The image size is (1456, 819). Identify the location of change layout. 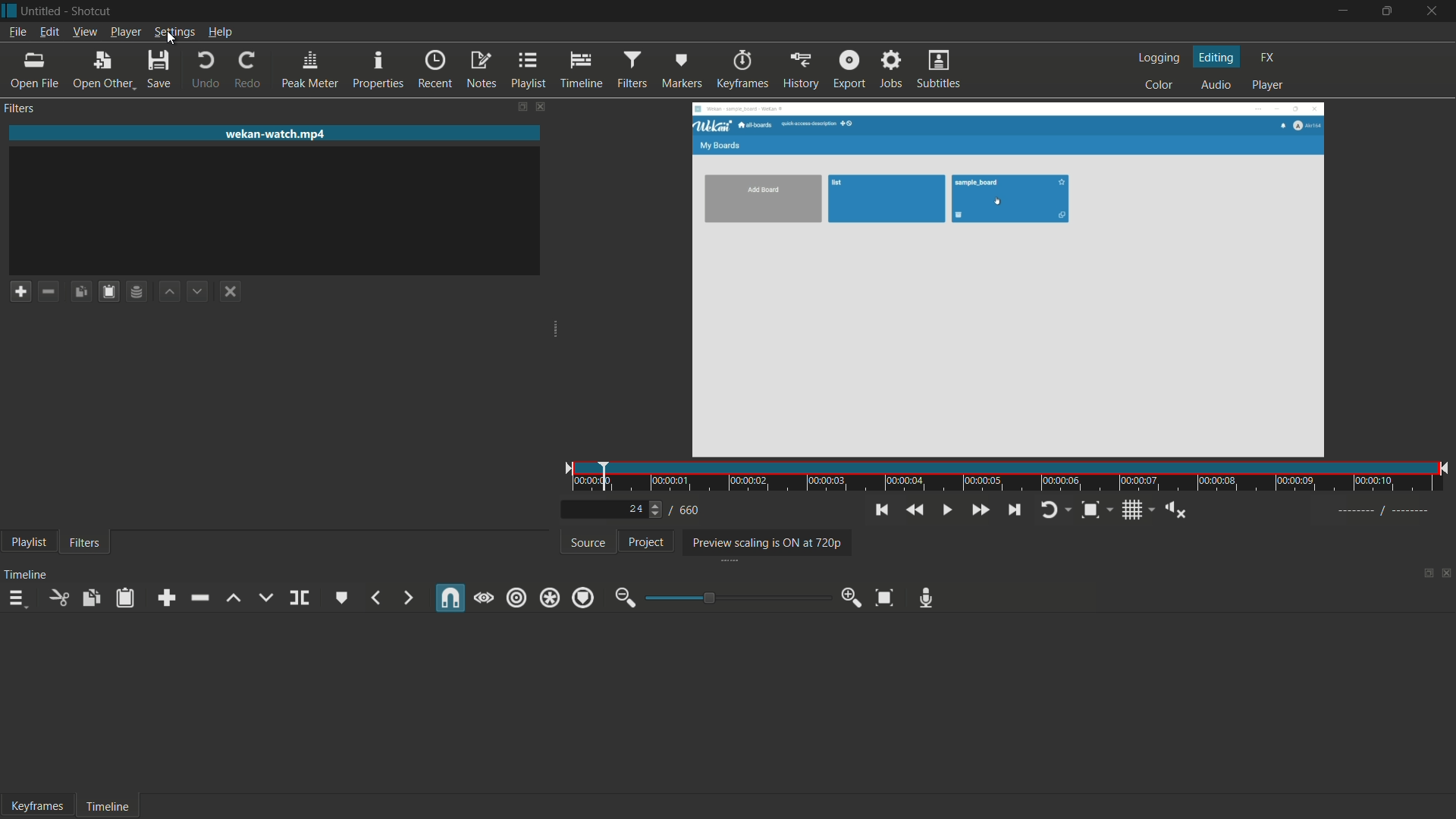
(1426, 575).